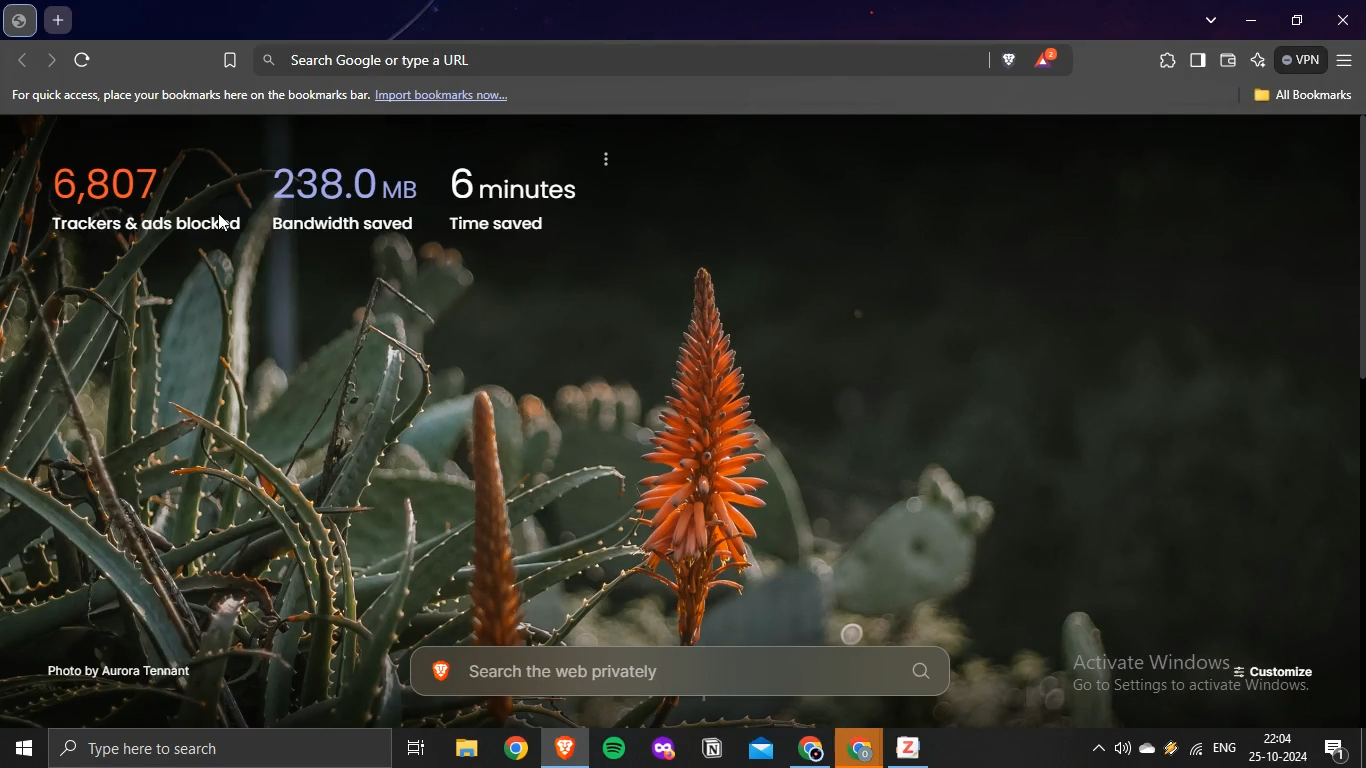 The height and width of the screenshot is (768, 1366). I want to click on brave rewards, so click(1046, 58).